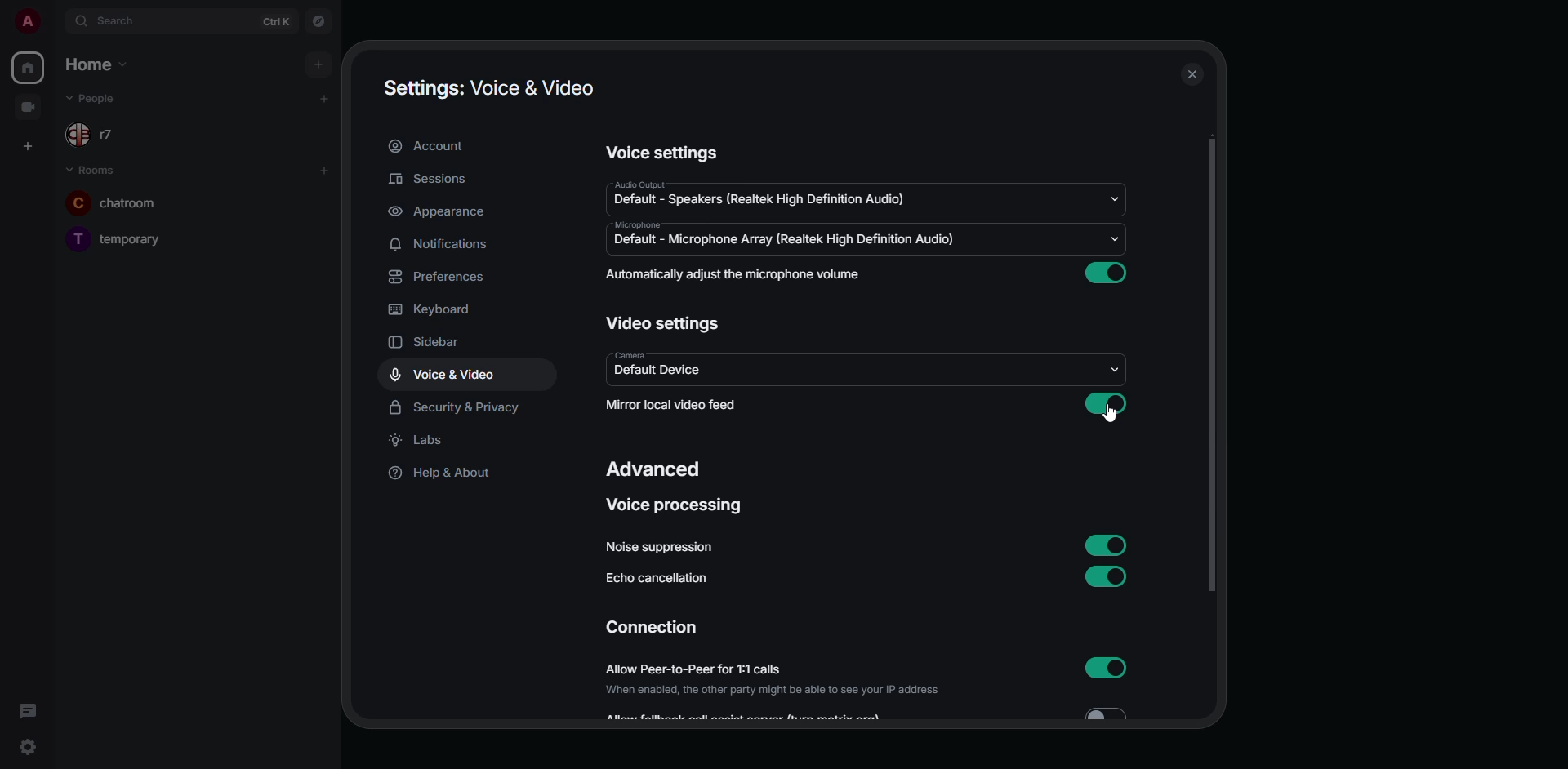 The height and width of the screenshot is (769, 1568). Describe the element at coordinates (441, 277) in the screenshot. I see `preferences` at that location.